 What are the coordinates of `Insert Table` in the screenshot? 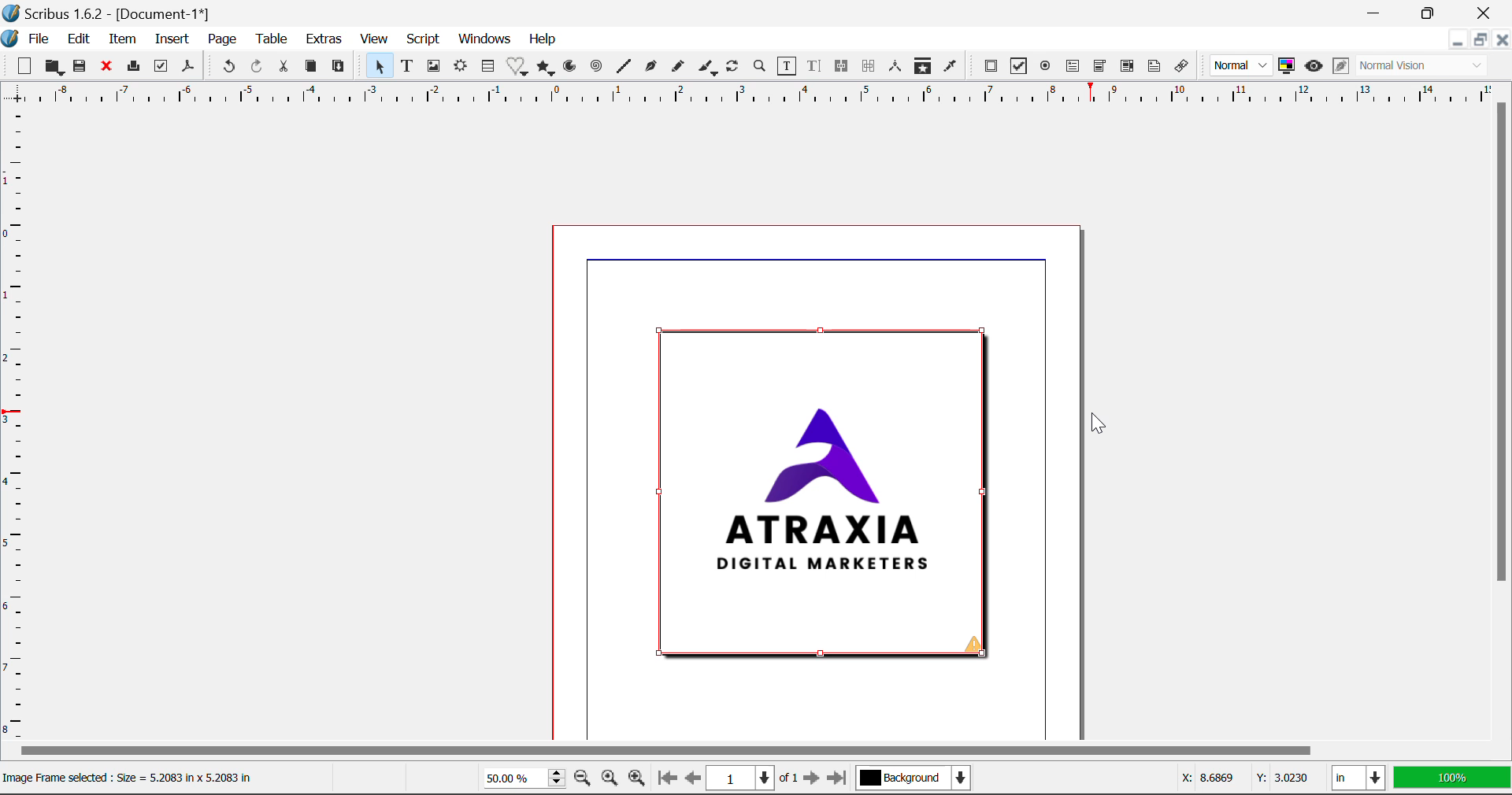 It's located at (491, 68).